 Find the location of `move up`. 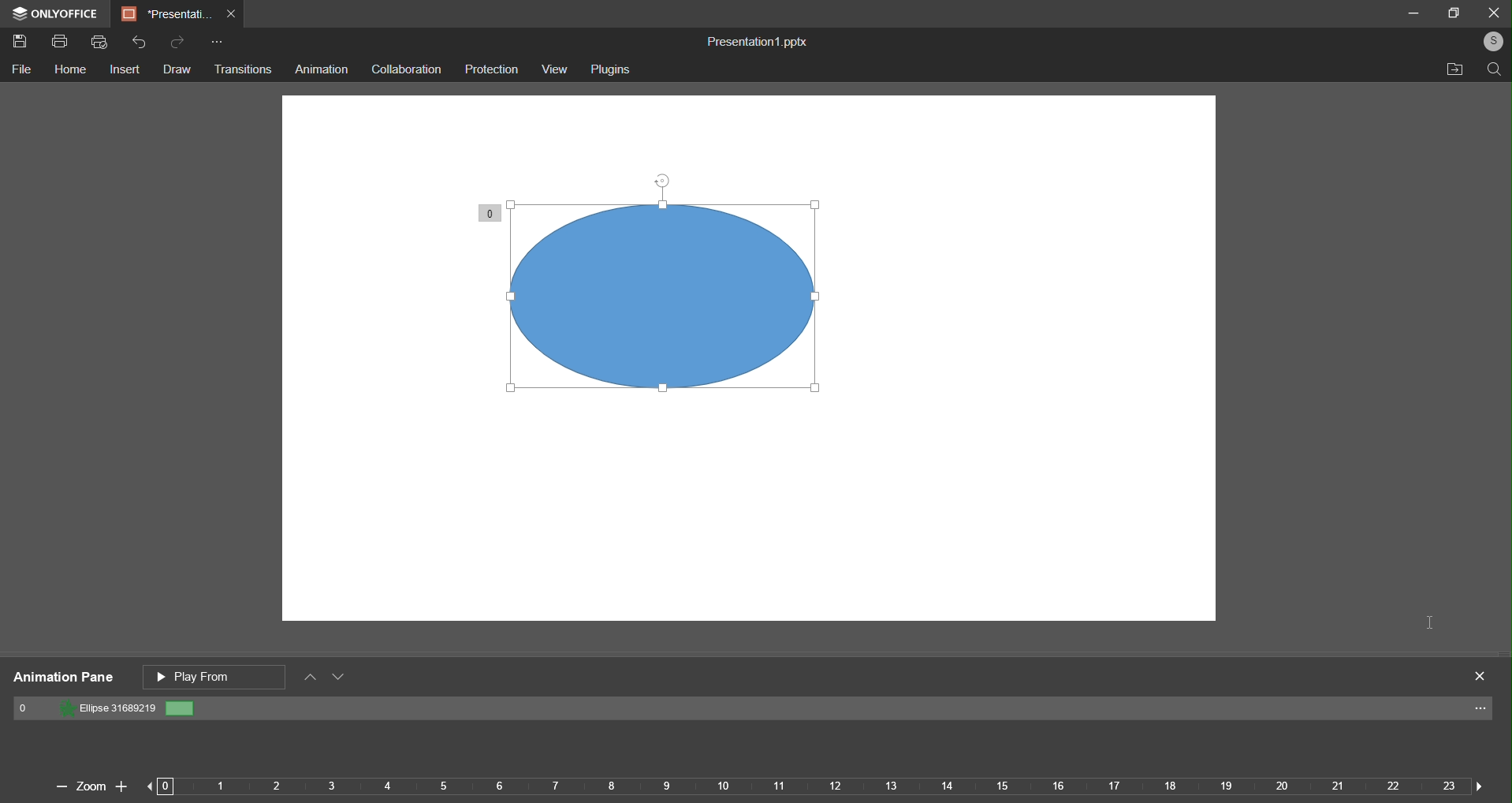

move up is located at coordinates (311, 678).